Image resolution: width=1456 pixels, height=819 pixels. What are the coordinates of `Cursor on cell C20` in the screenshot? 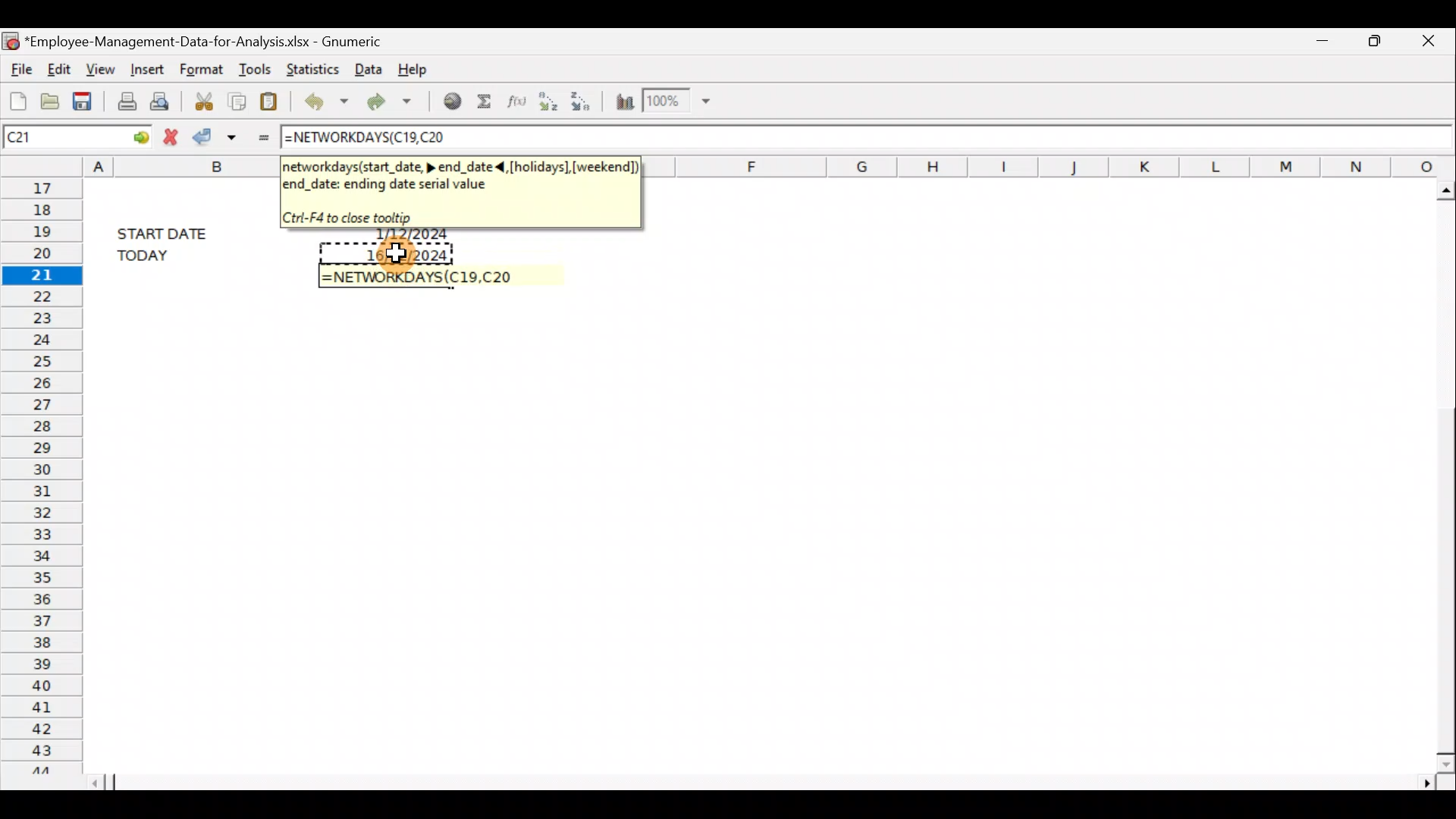 It's located at (390, 256).